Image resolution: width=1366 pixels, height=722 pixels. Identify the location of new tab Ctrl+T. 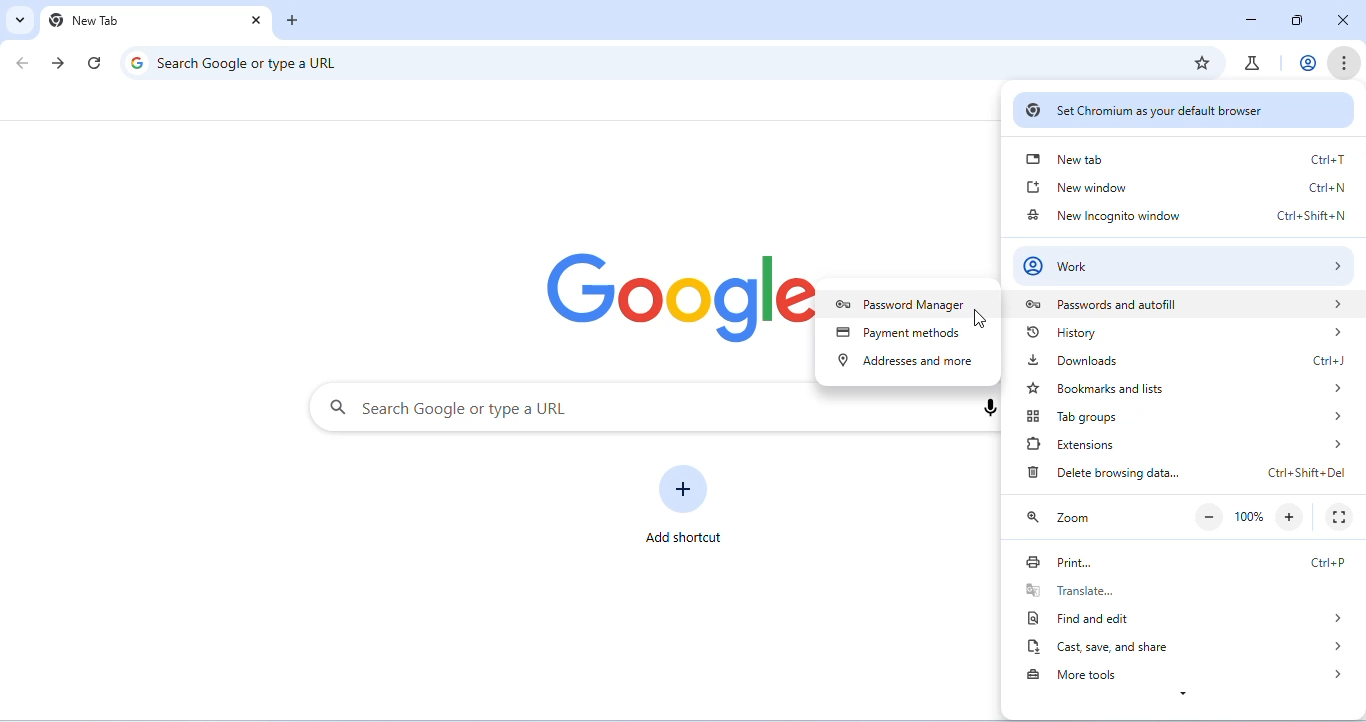
(1184, 158).